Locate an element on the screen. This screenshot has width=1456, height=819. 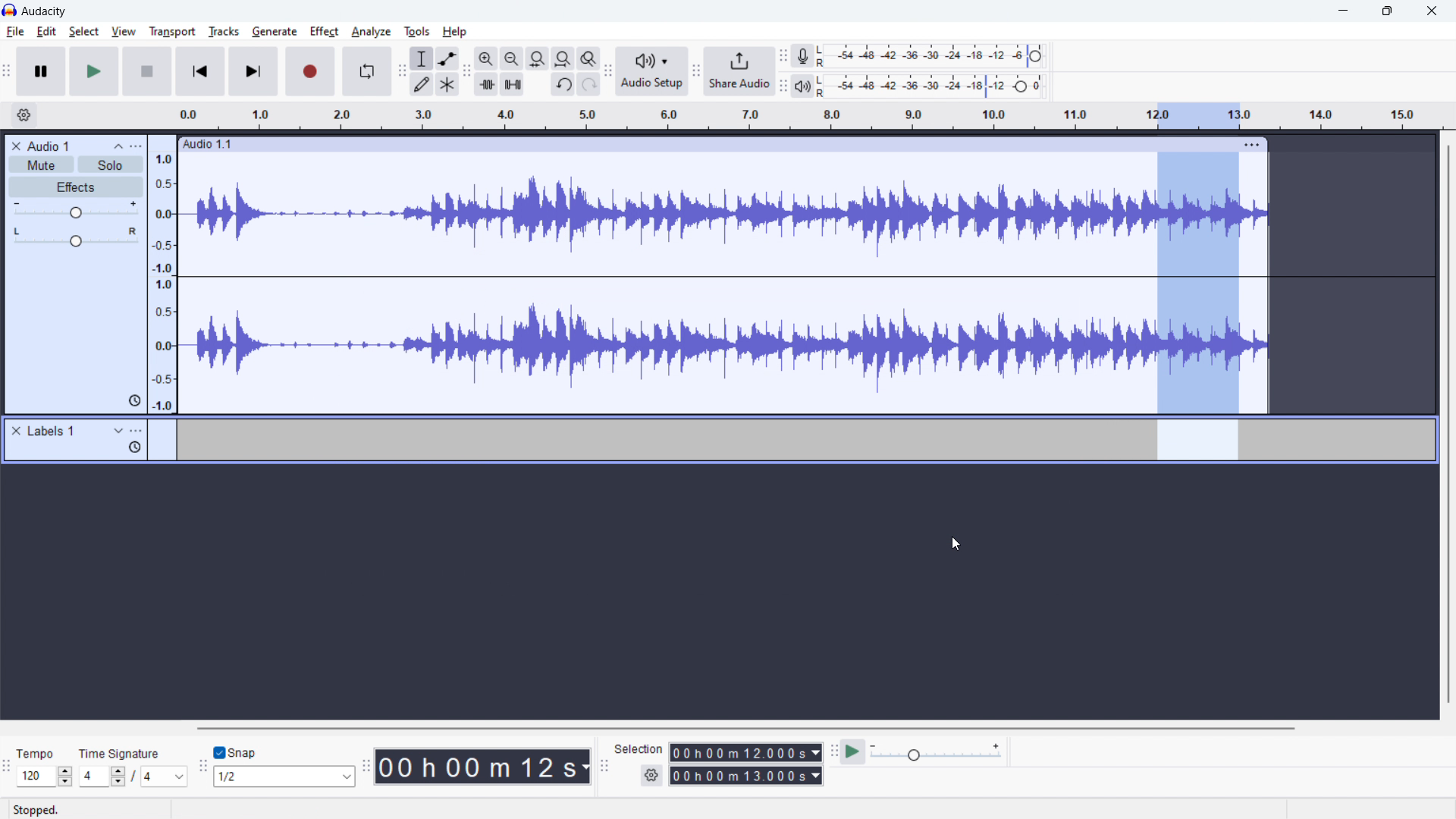
effects is located at coordinates (77, 187).